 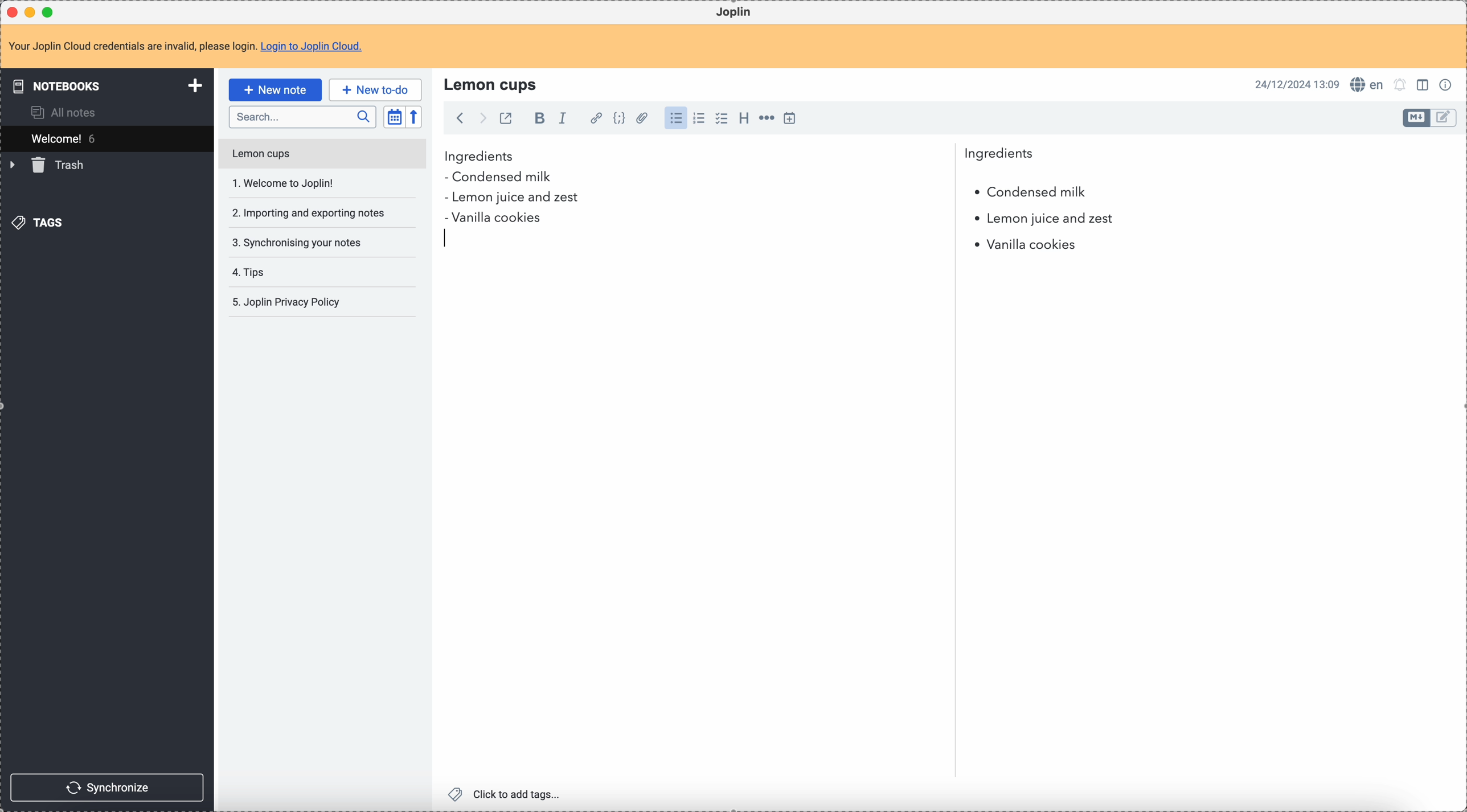 What do you see at coordinates (493, 84) in the screenshot?
I see `lemon cups` at bounding box center [493, 84].